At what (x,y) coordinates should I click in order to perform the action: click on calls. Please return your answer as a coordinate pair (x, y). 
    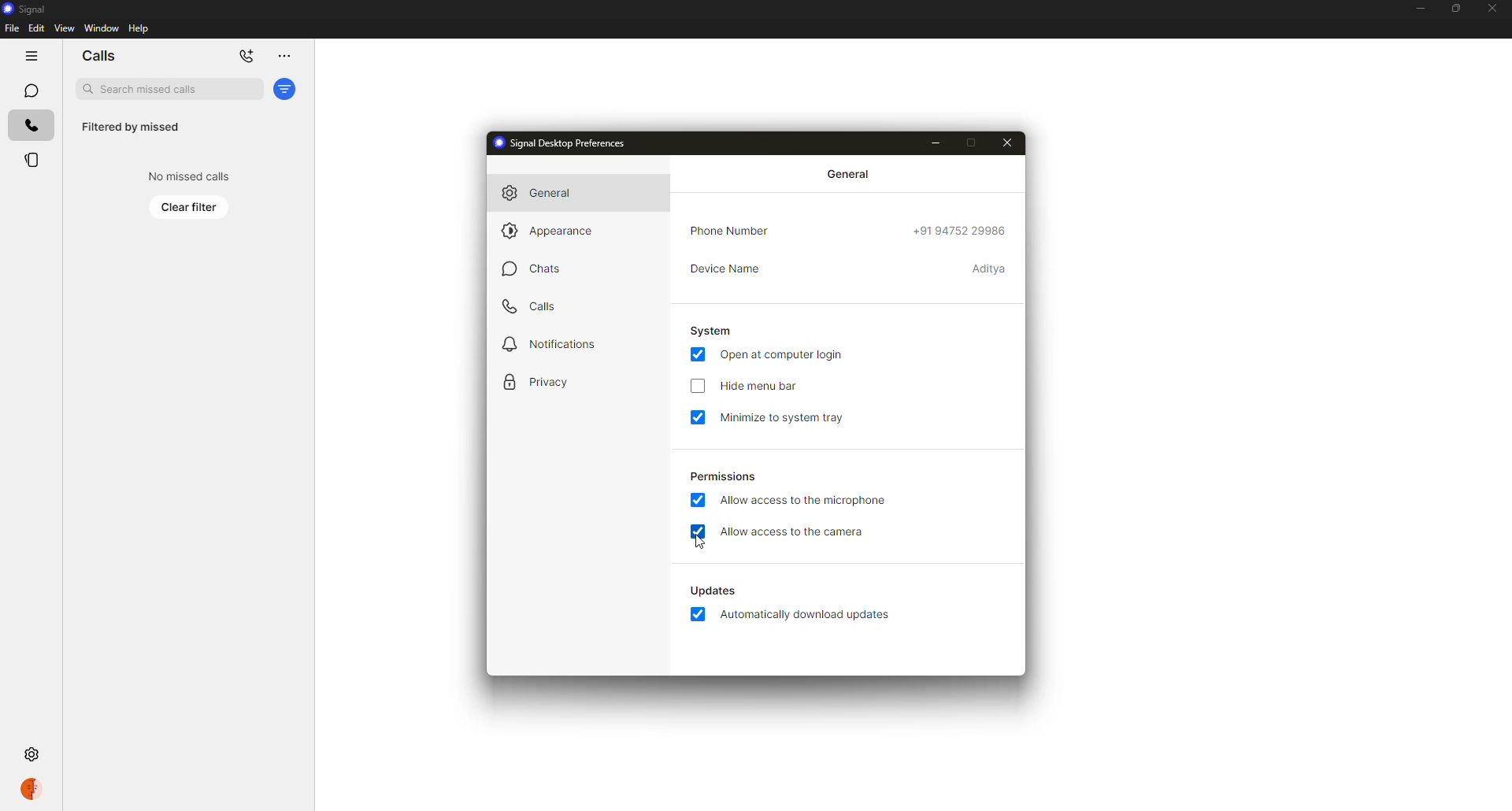
    Looking at the image, I should click on (31, 127).